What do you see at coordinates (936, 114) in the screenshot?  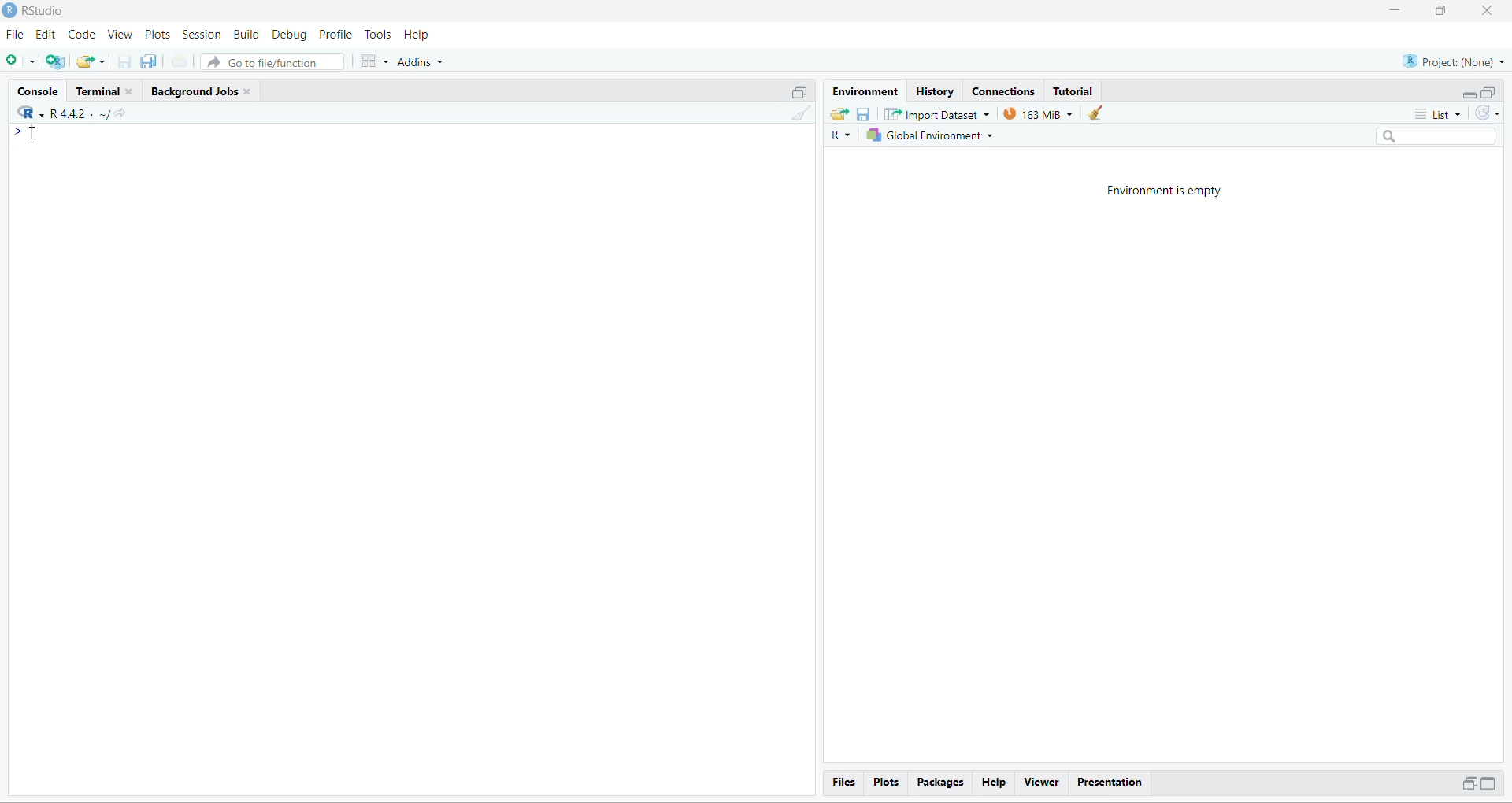 I see `Import Dataset` at bounding box center [936, 114].